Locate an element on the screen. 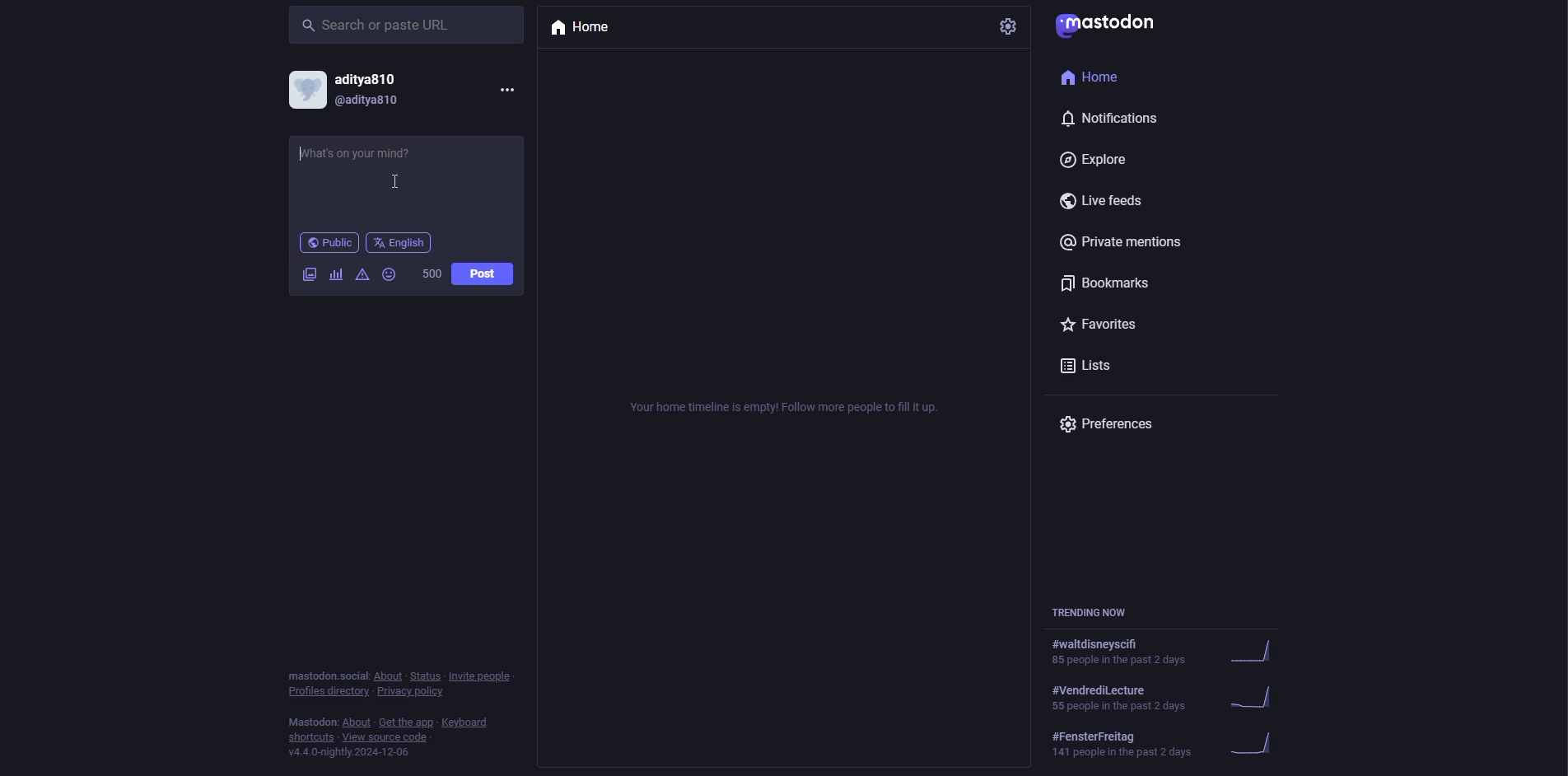 The image size is (1568, 776). words is located at coordinates (431, 273).